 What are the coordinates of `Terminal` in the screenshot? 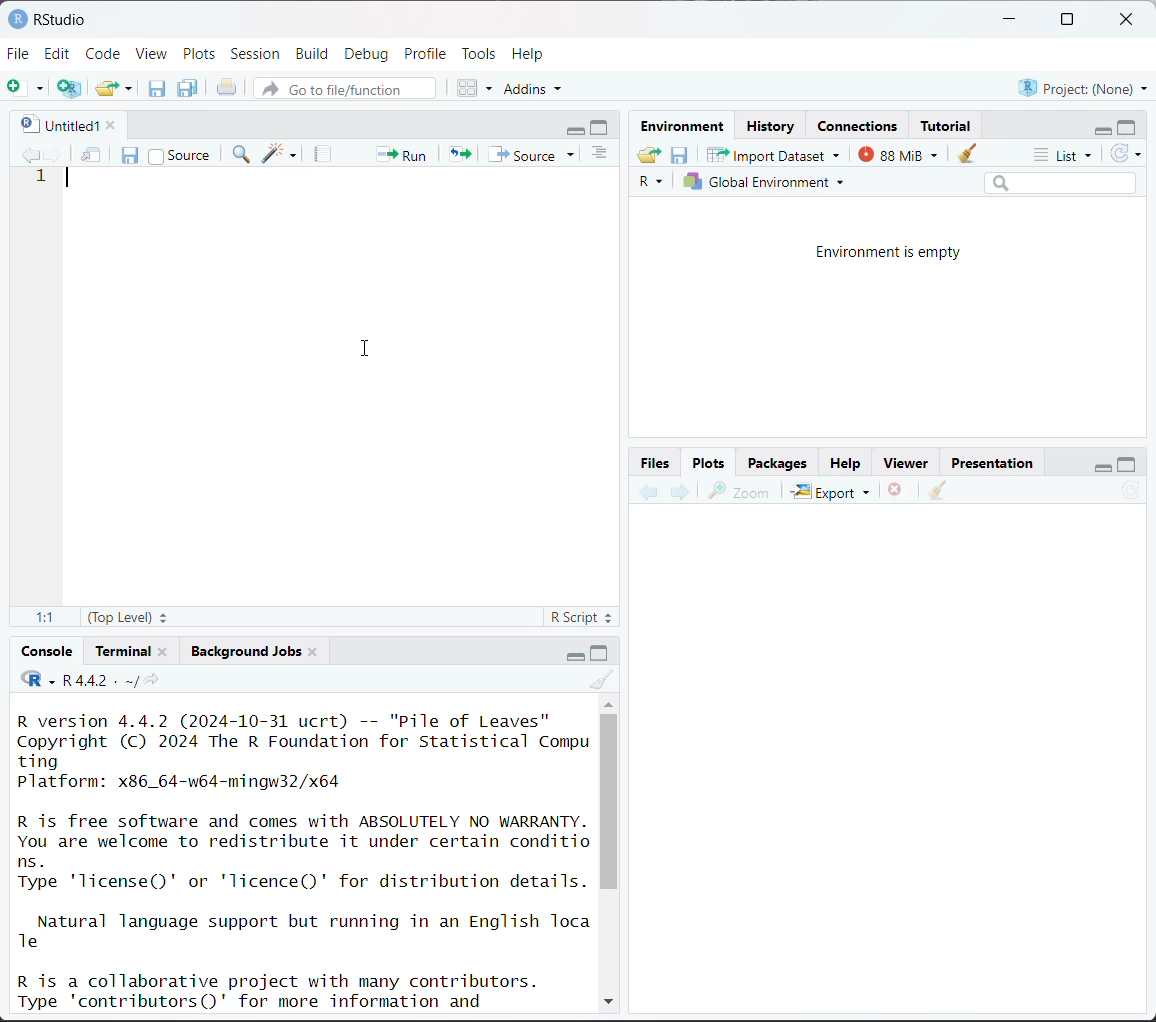 It's located at (125, 648).